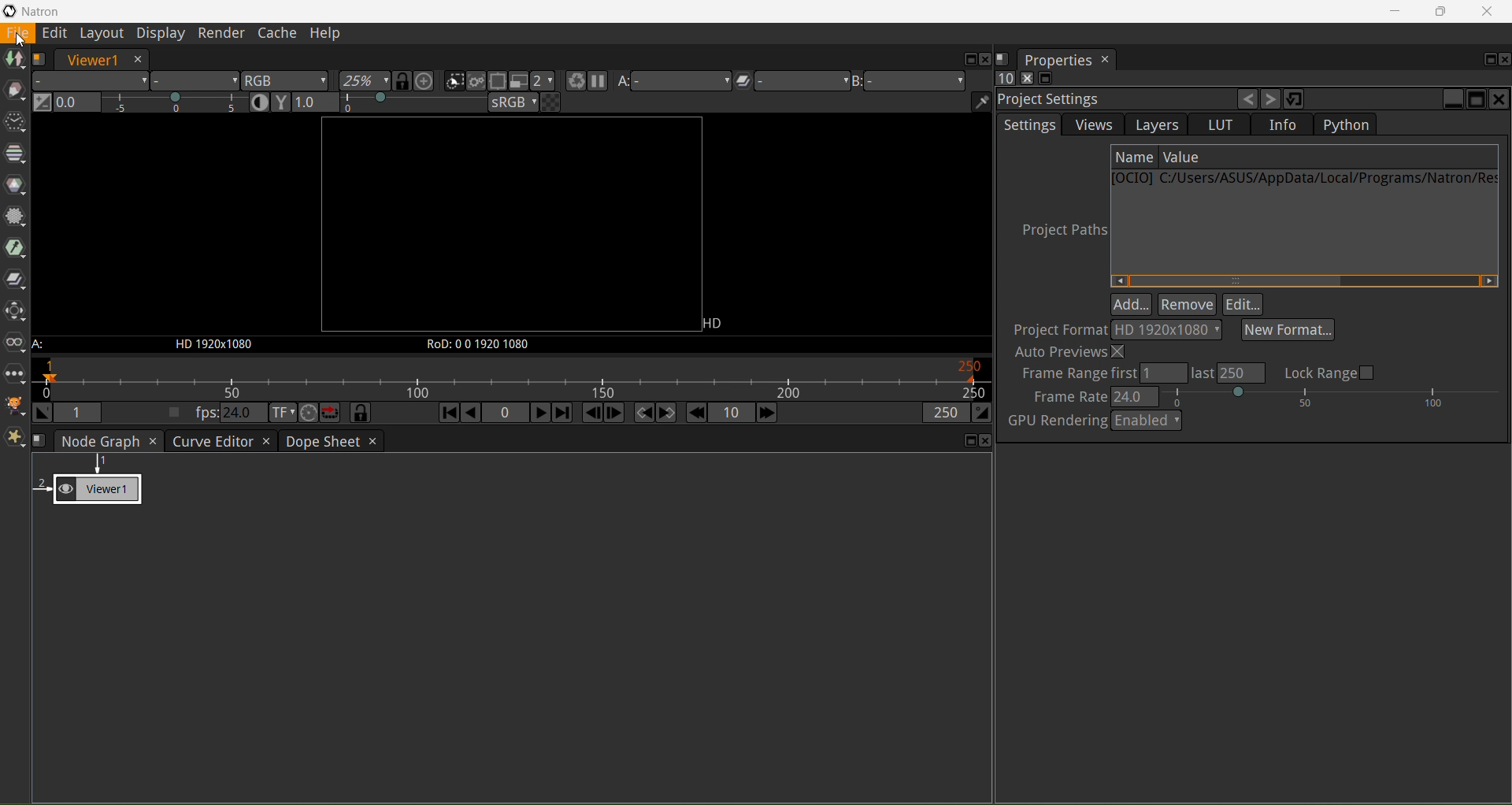 The width and height of the screenshot is (1512, 805). Describe the element at coordinates (16, 312) in the screenshot. I see `Transform` at that location.